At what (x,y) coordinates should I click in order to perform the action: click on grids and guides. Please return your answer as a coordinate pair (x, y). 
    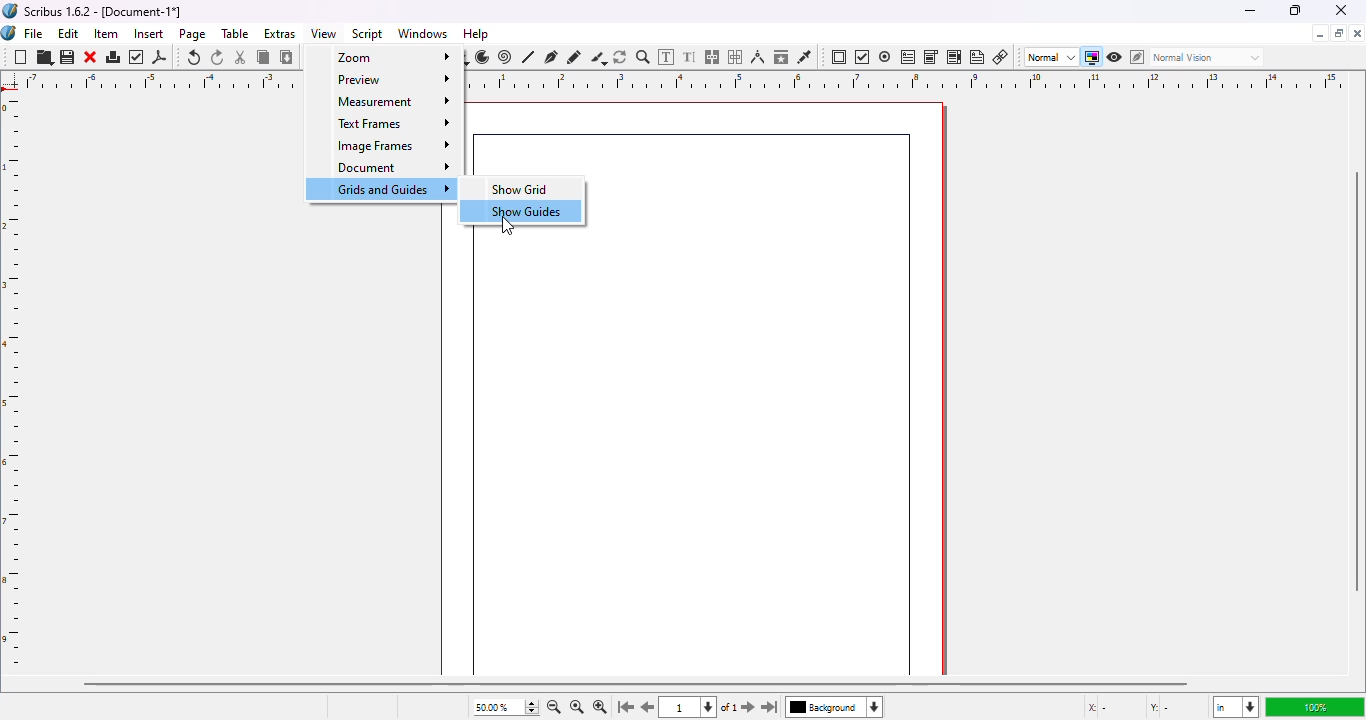
    Looking at the image, I should click on (379, 188).